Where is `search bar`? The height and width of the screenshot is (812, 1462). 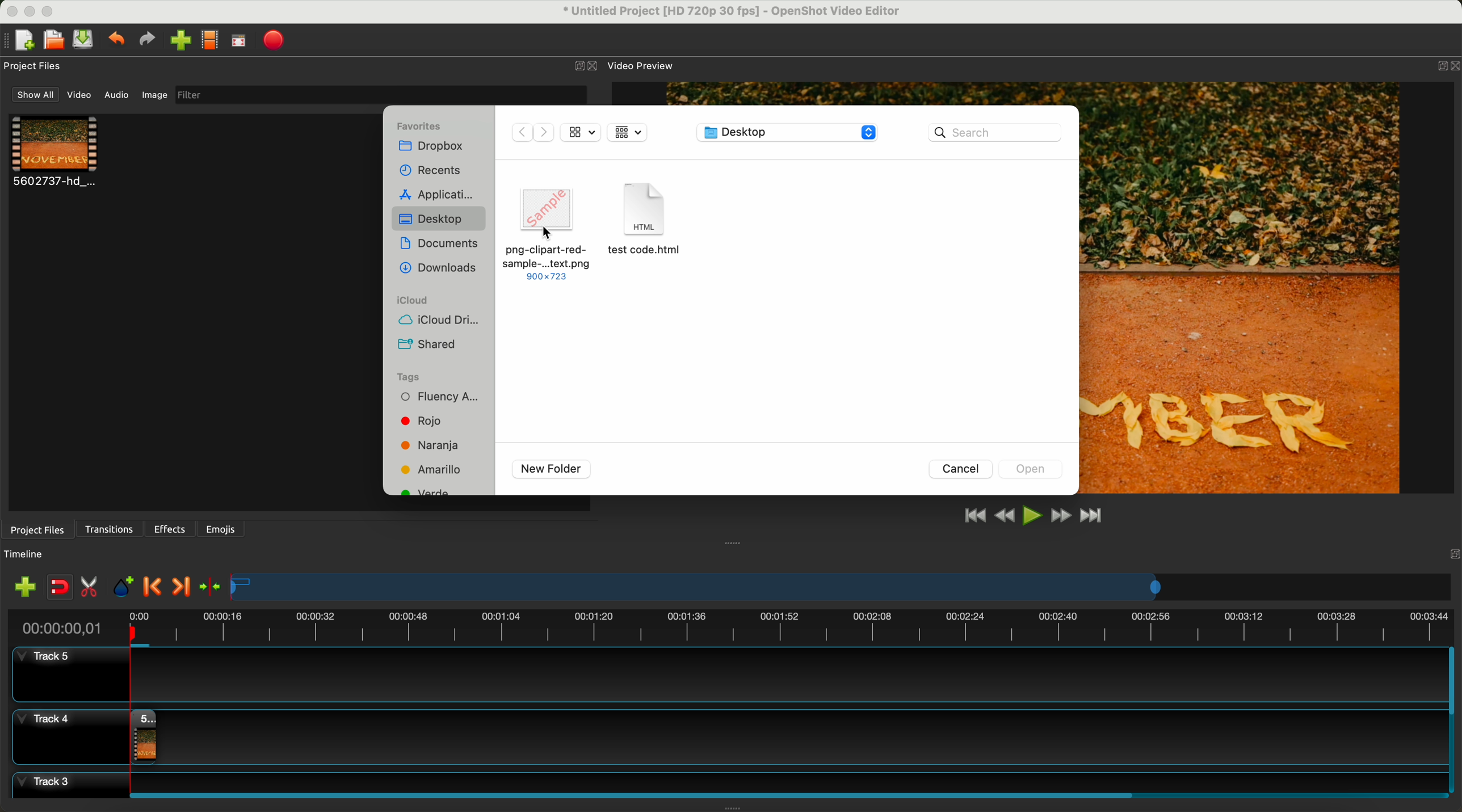
search bar is located at coordinates (995, 132).